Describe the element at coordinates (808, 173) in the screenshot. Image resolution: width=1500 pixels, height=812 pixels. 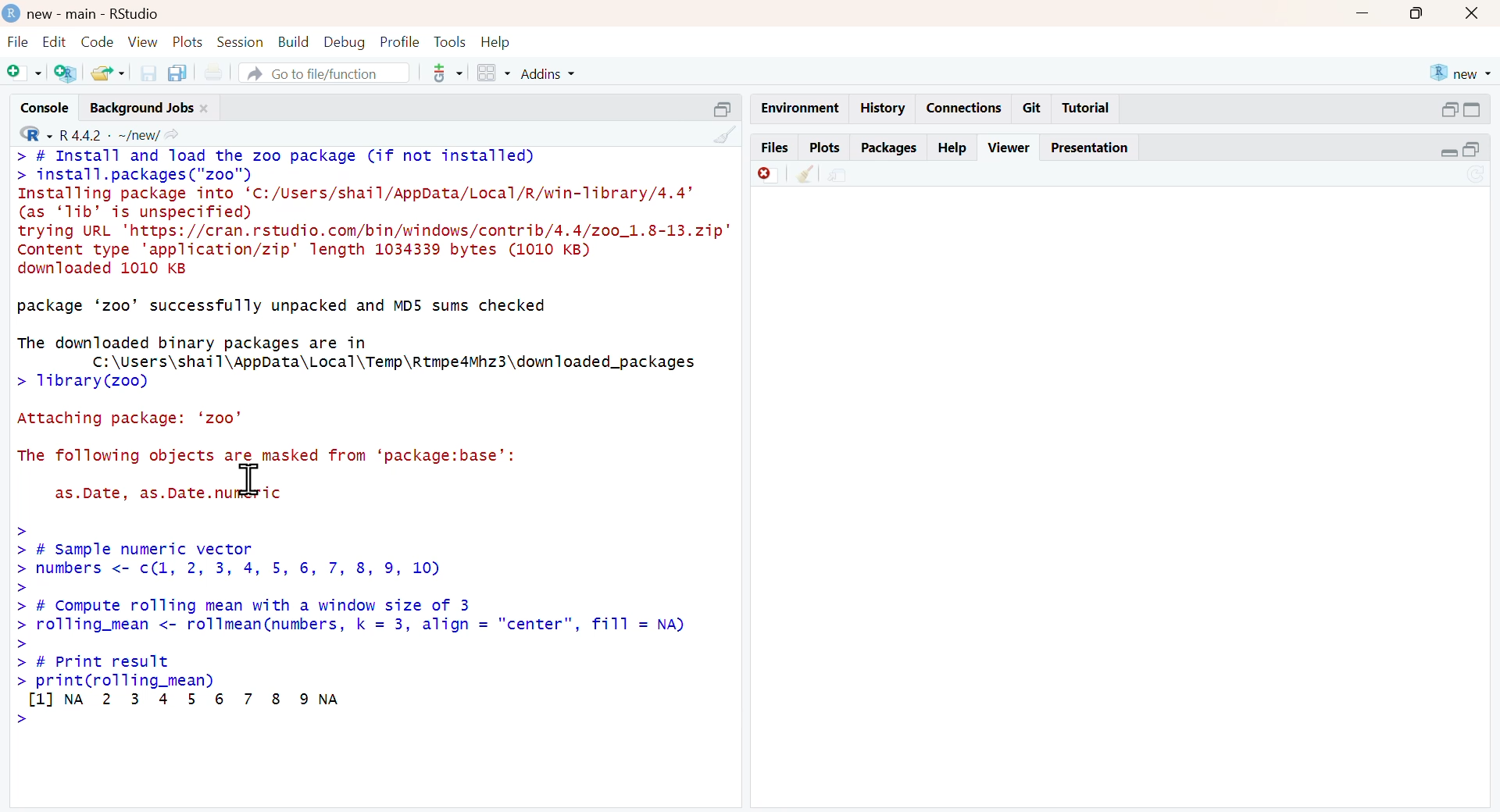
I see `clear` at that location.